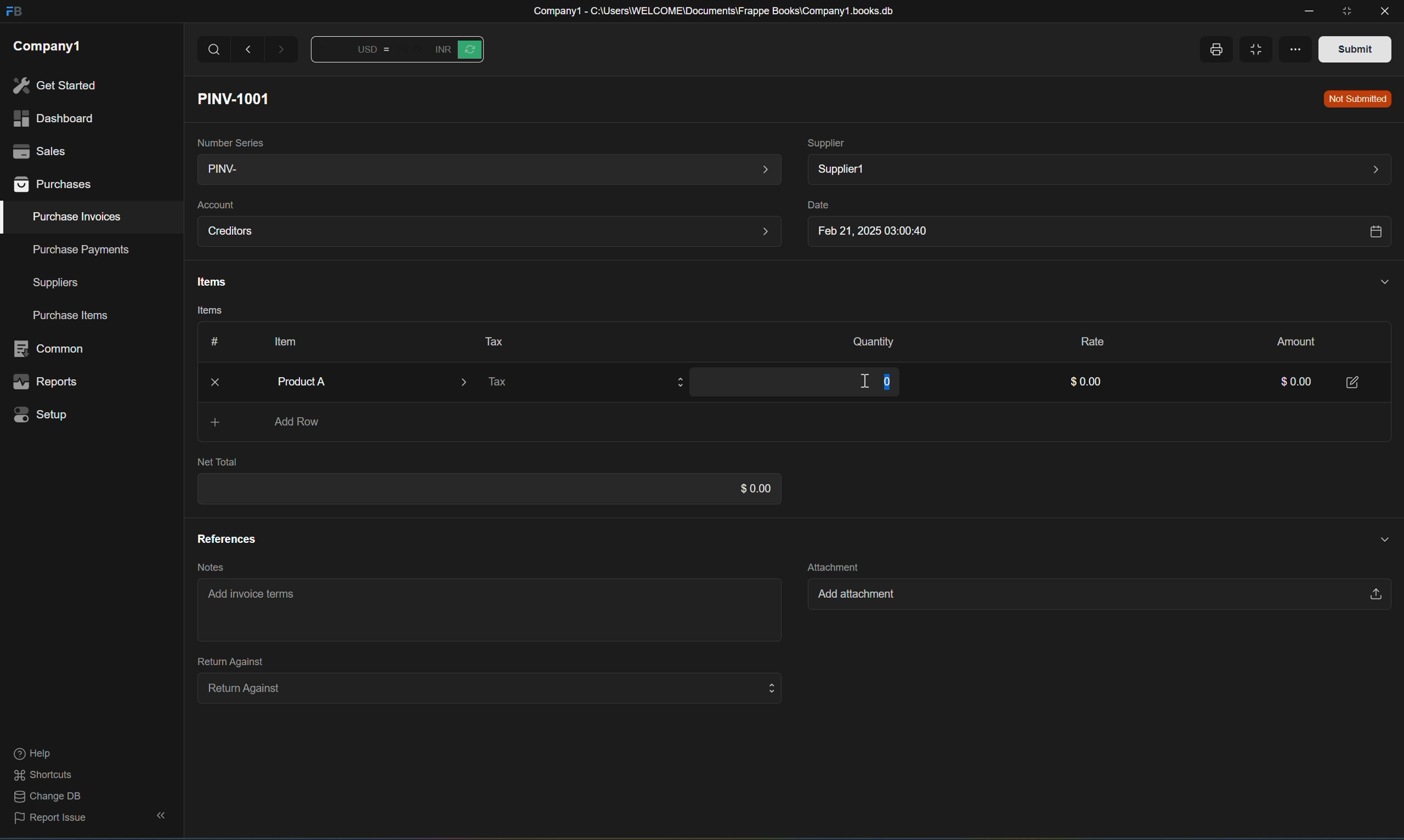 Image resolution: width=1404 pixels, height=840 pixels. What do you see at coordinates (485, 170) in the screenshot?
I see `PINV-` at bounding box center [485, 170].